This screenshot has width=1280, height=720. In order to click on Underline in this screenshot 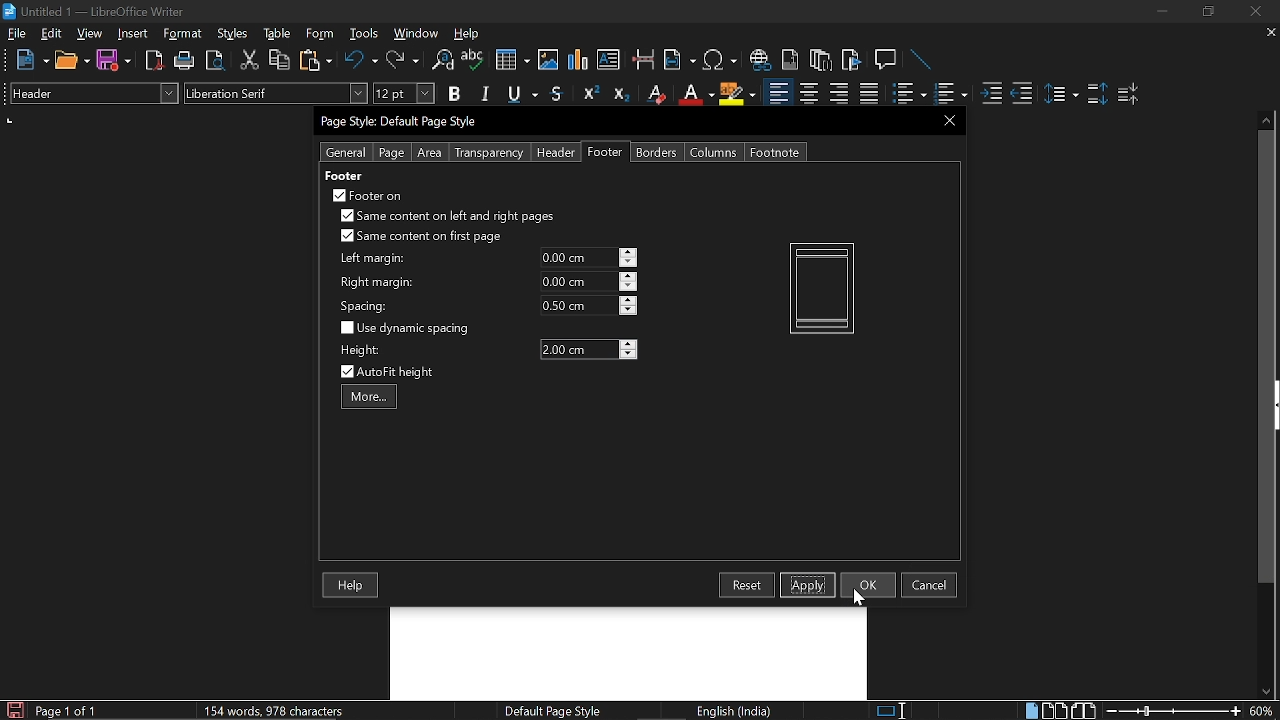, I will do `click(695, 94)`.